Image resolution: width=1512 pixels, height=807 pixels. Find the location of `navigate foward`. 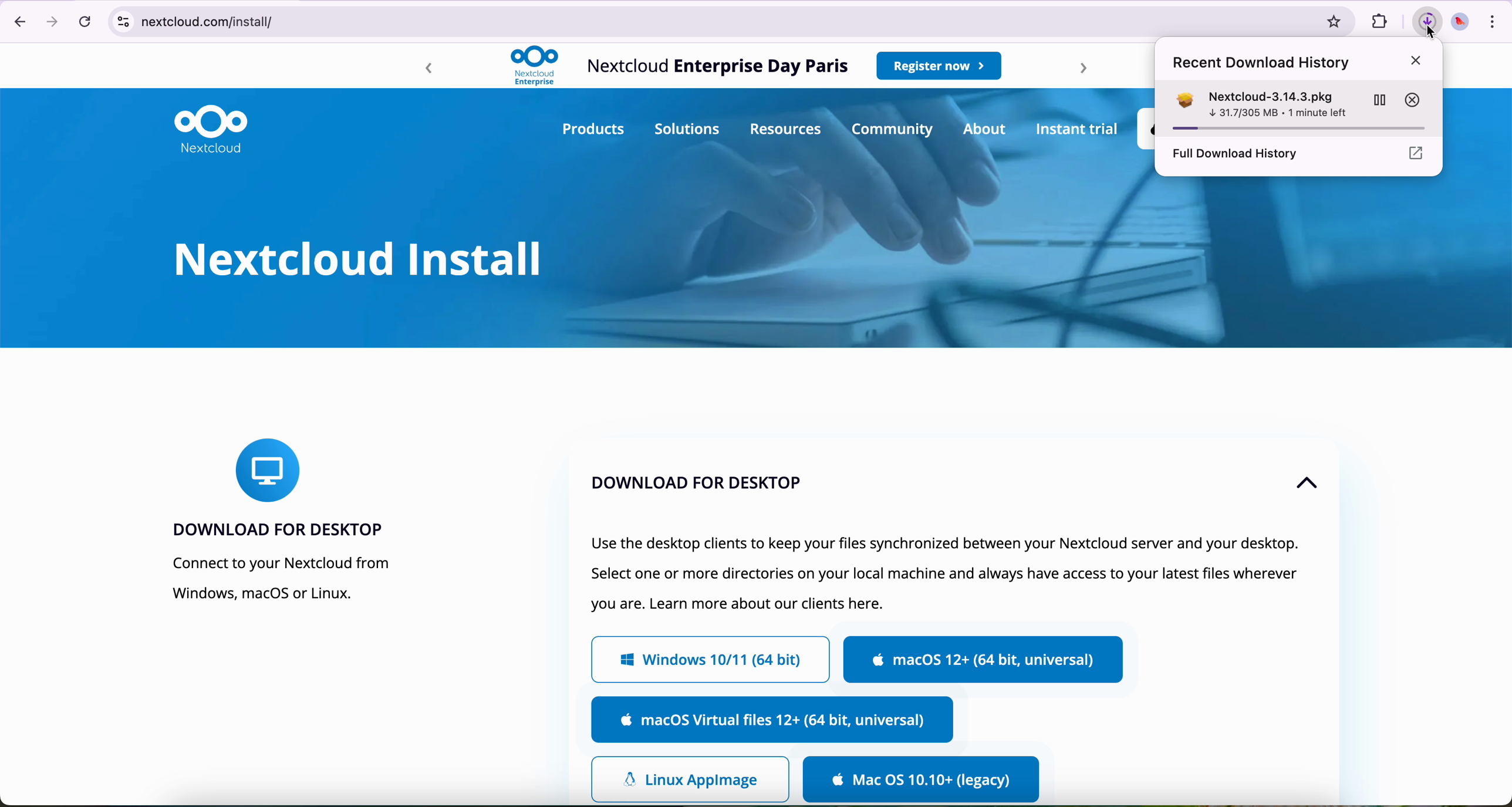

navigate foward is located at coordinates (53, 23).